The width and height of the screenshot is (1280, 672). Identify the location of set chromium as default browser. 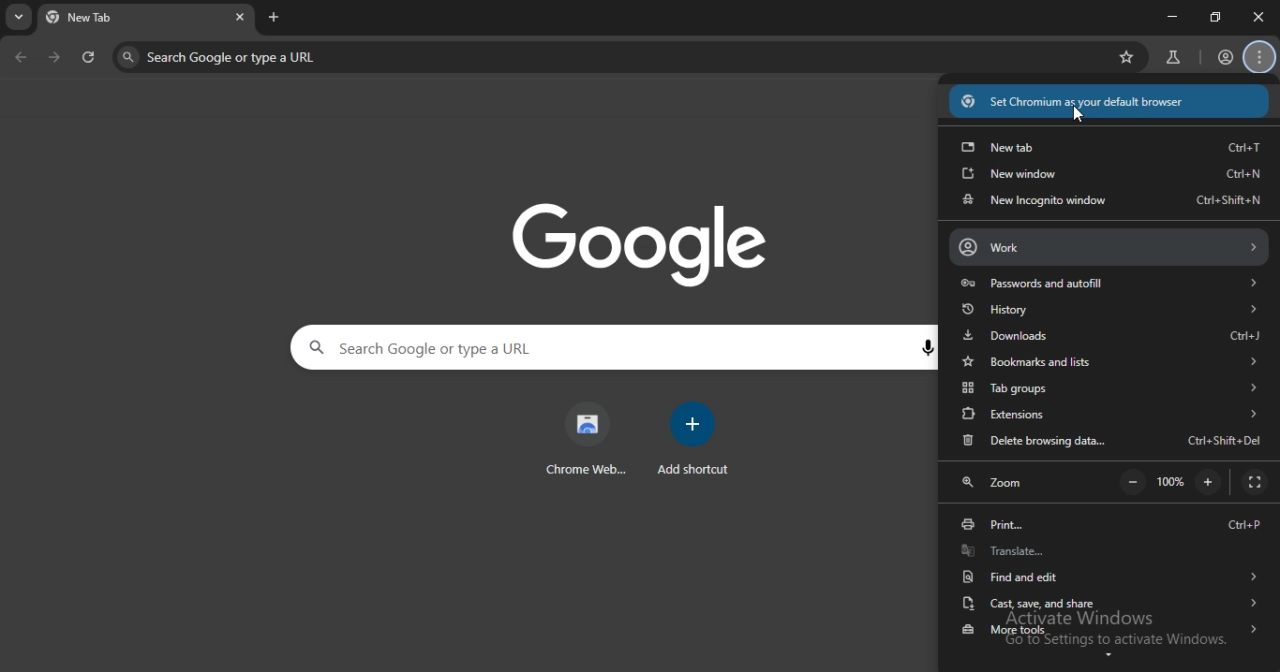
(1110, 101).